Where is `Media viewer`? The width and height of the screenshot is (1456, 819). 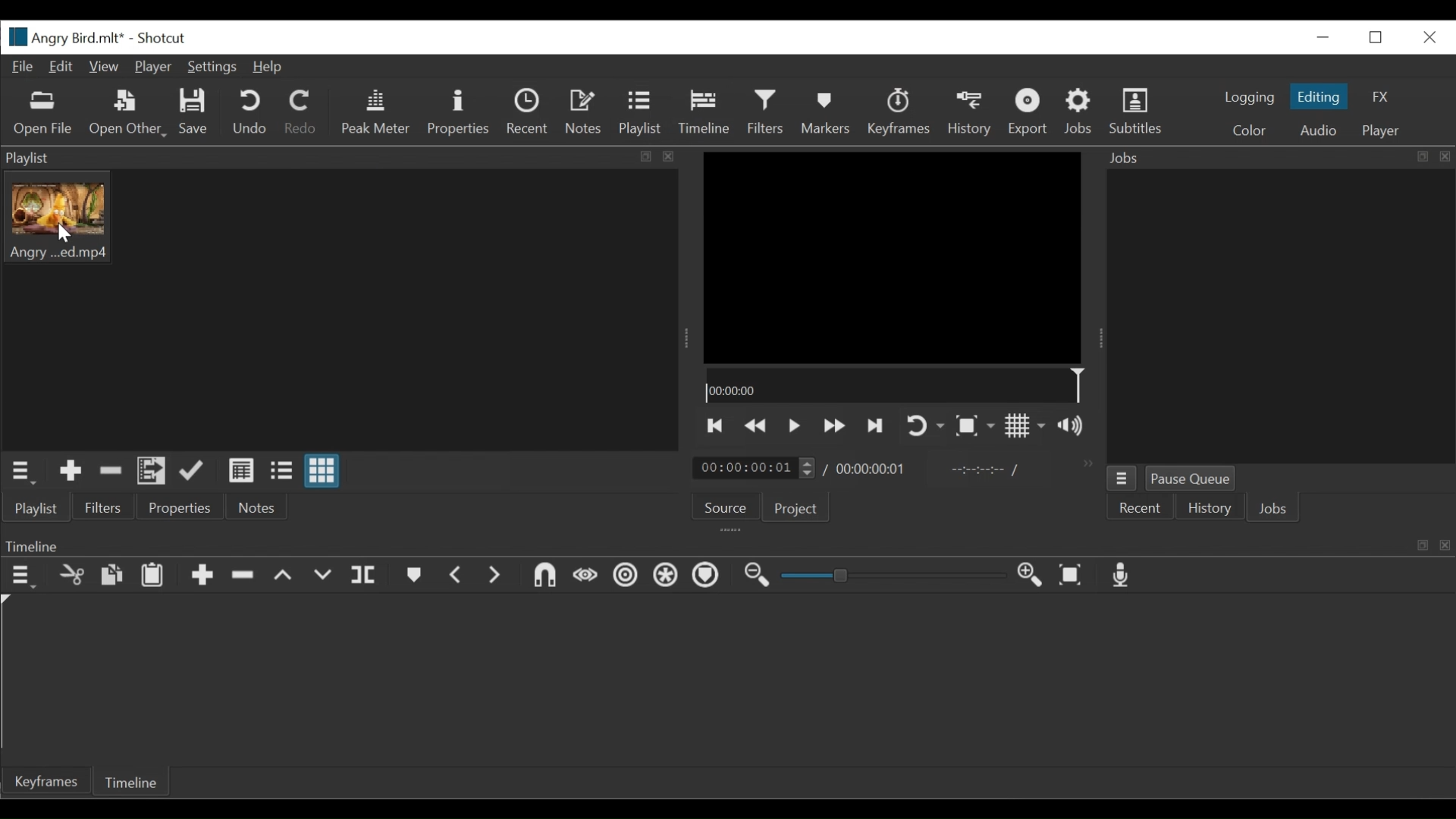 Media viewer is located at coordinates (893, 259).